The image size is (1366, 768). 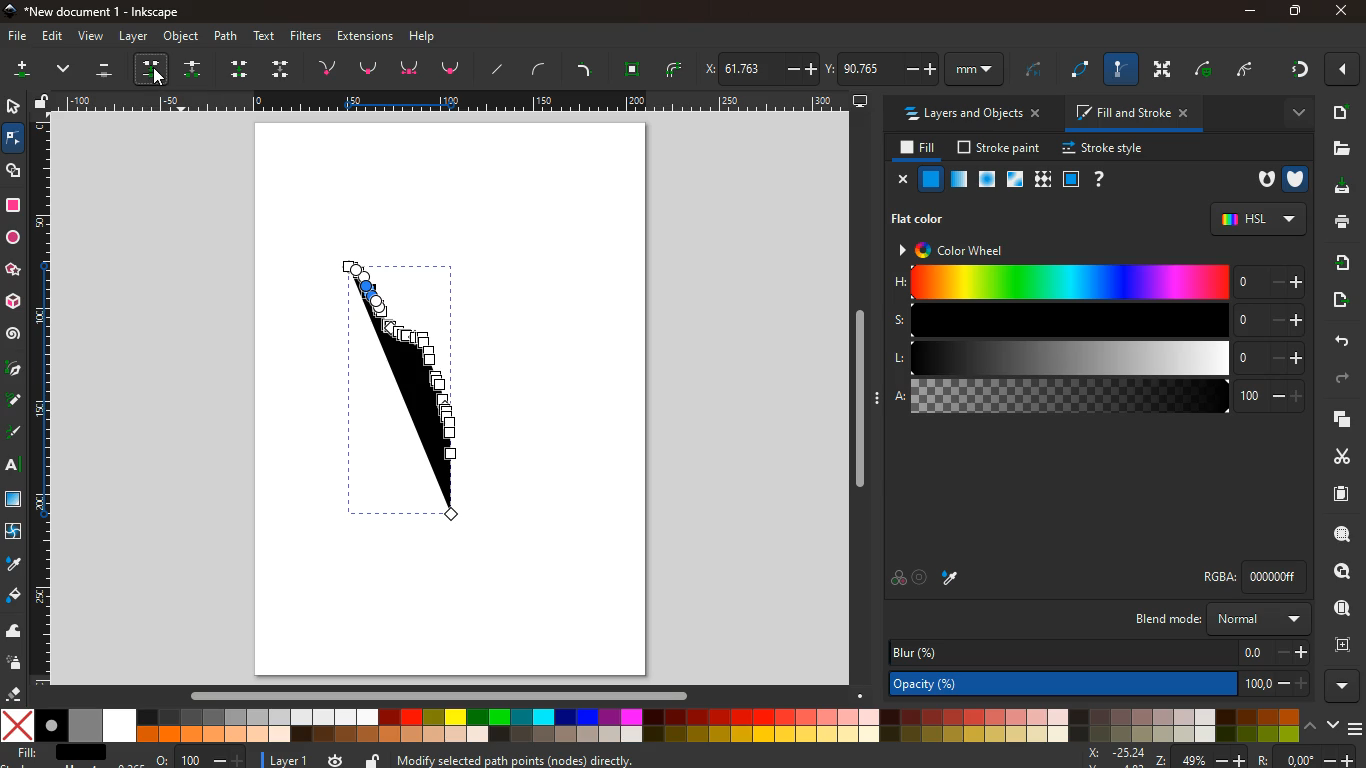 What do you see at coordinates (1338, 534) in the screenshot?
I see `search` at bounding box center [1338, 534].